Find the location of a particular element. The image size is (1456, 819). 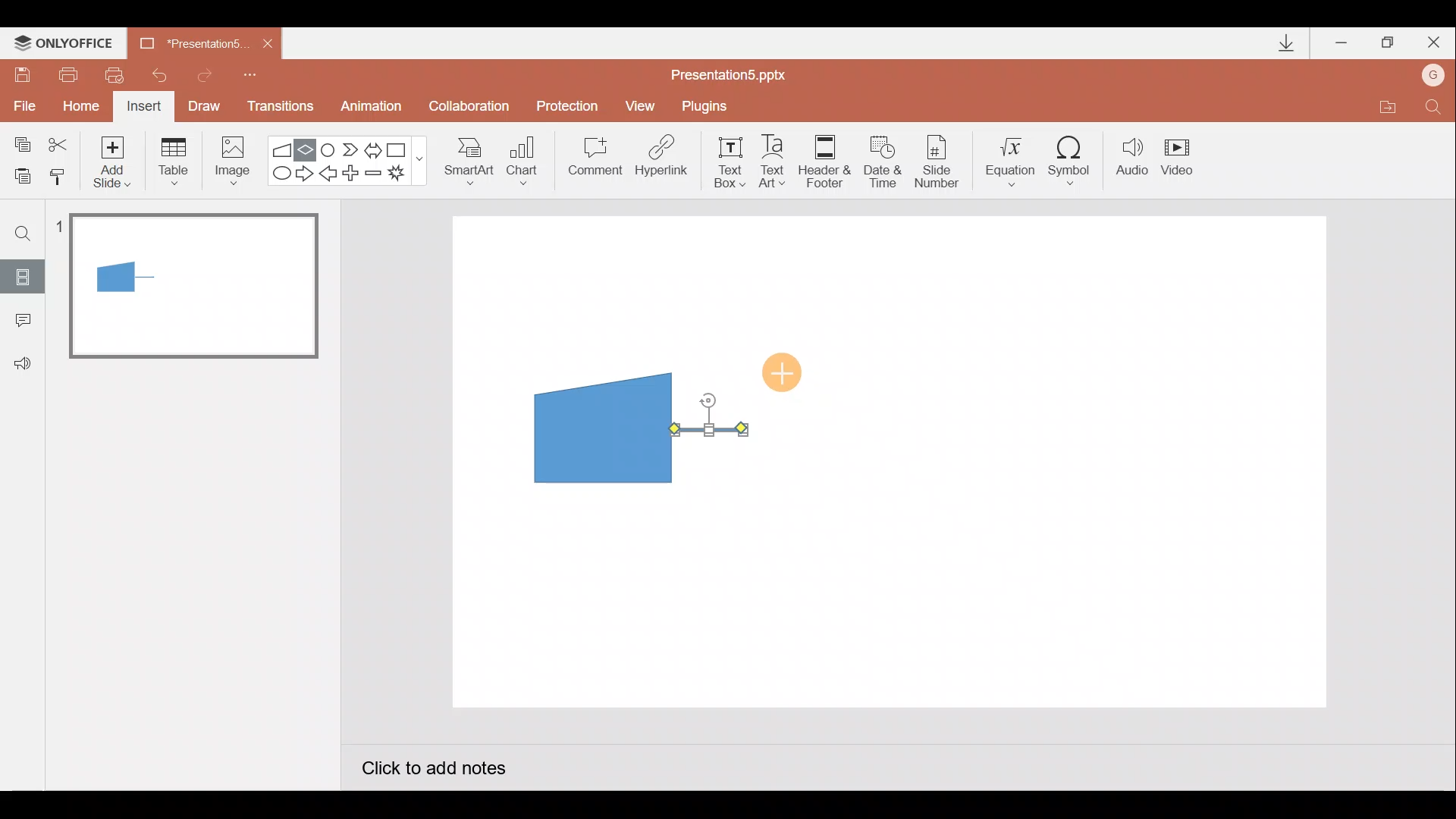

Explosion 1 is located at coordinates (406, 175).